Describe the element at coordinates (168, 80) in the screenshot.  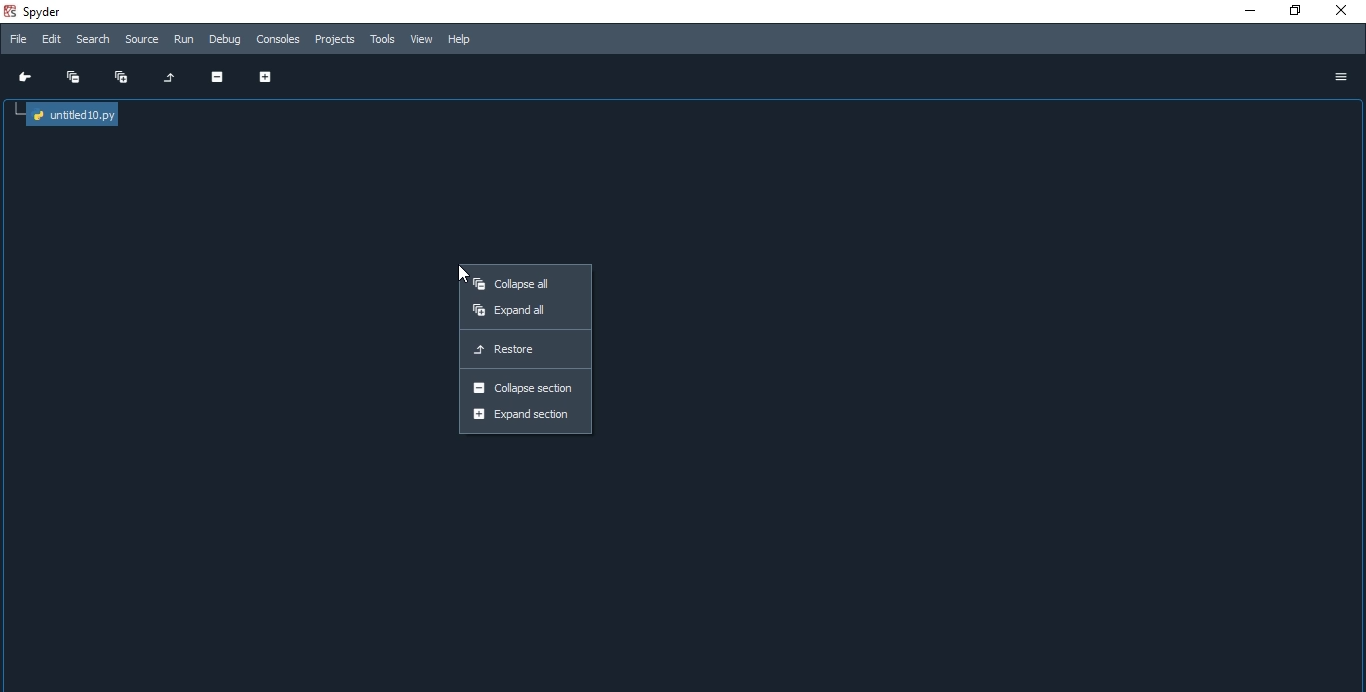
I see `Restore original tree layout` at that location.